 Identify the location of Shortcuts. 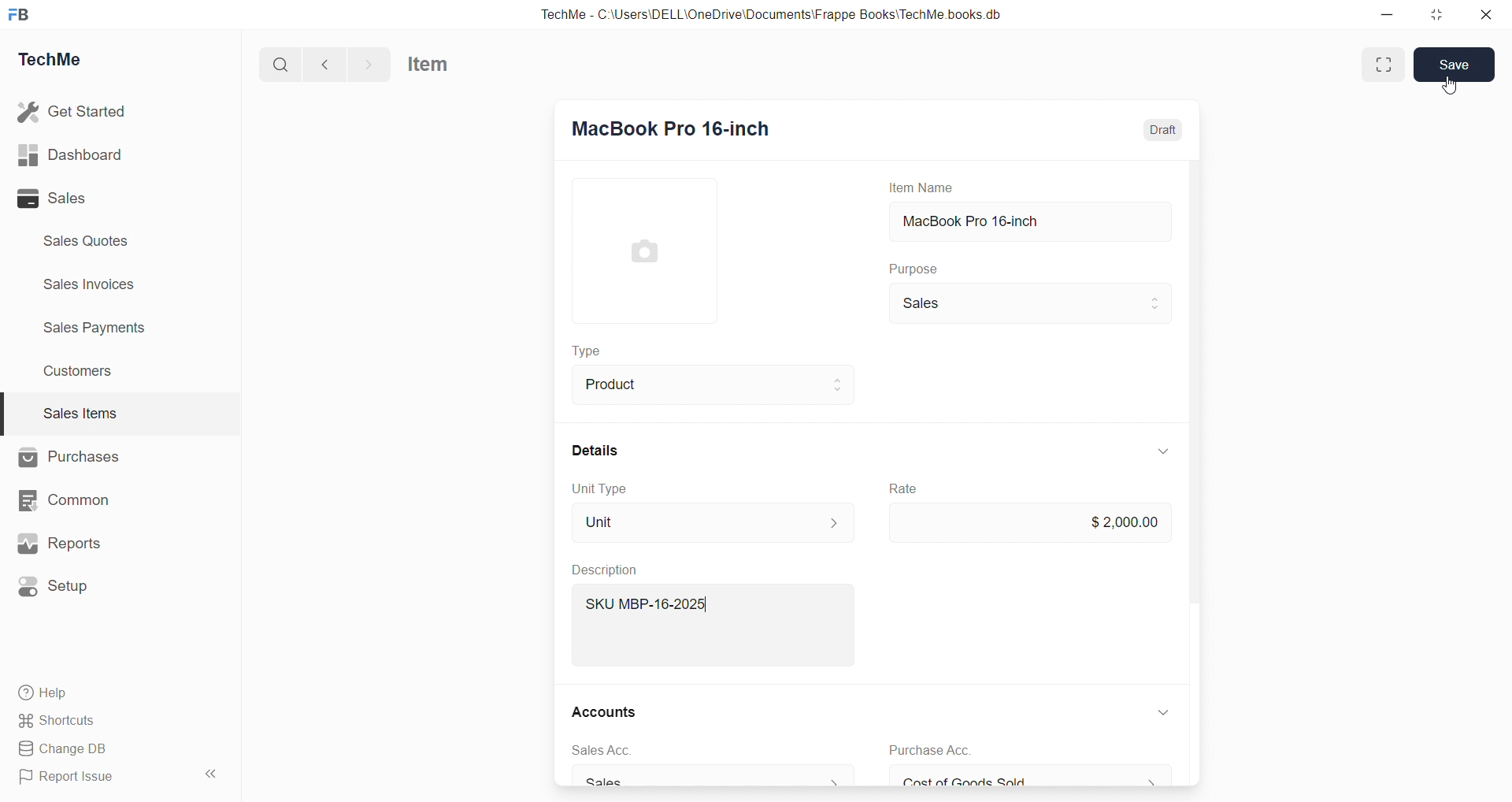
(60, 721).